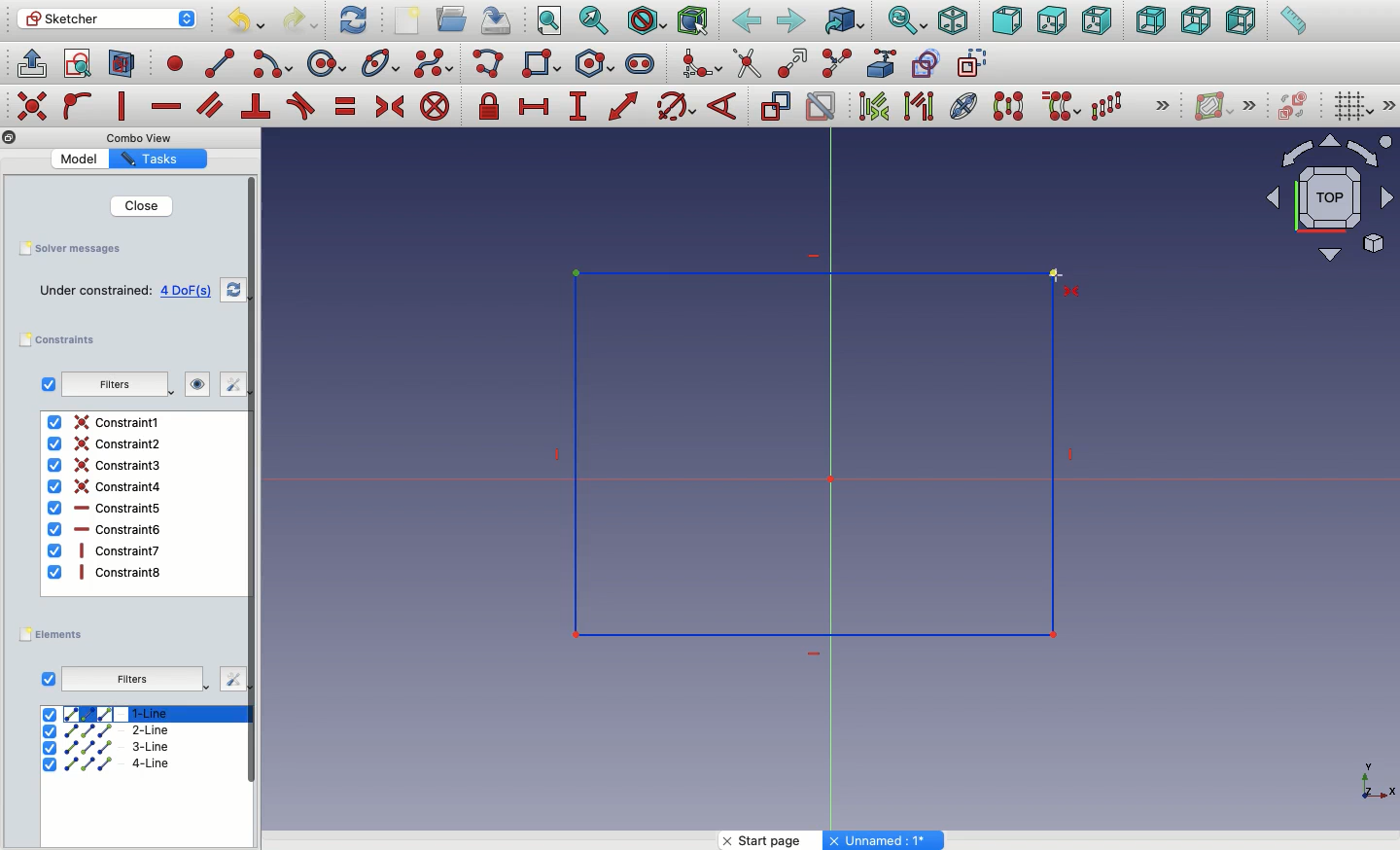  I want to click on Bounding Box, so click(692, 21).